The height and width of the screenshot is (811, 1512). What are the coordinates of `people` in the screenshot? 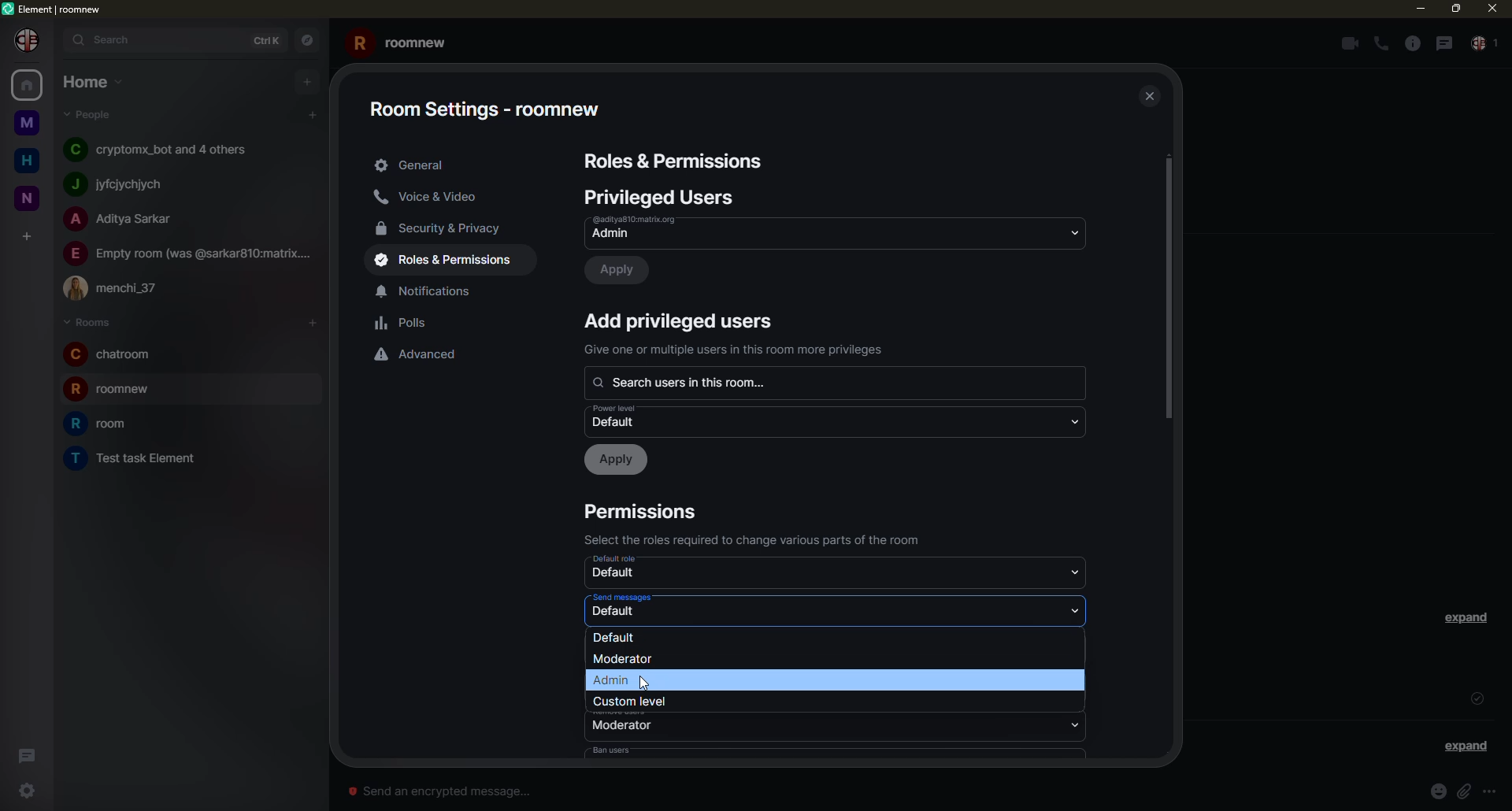 It's located at (124, 220).